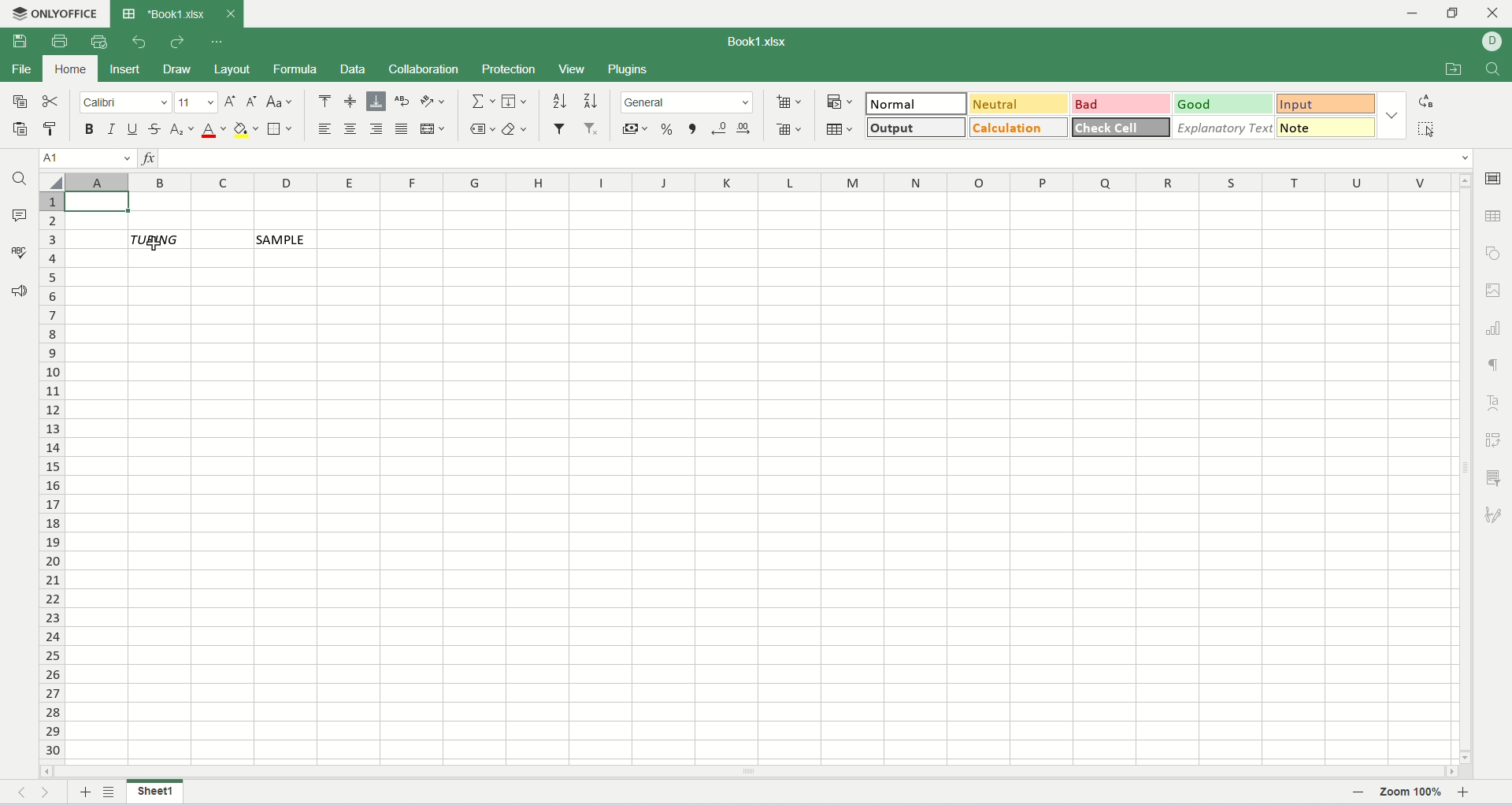 Image resolution: width=1512 pixels, height=805 pixels. Describe the element at coordinates (359, 72) in the screenshot. I see `data` at that location.